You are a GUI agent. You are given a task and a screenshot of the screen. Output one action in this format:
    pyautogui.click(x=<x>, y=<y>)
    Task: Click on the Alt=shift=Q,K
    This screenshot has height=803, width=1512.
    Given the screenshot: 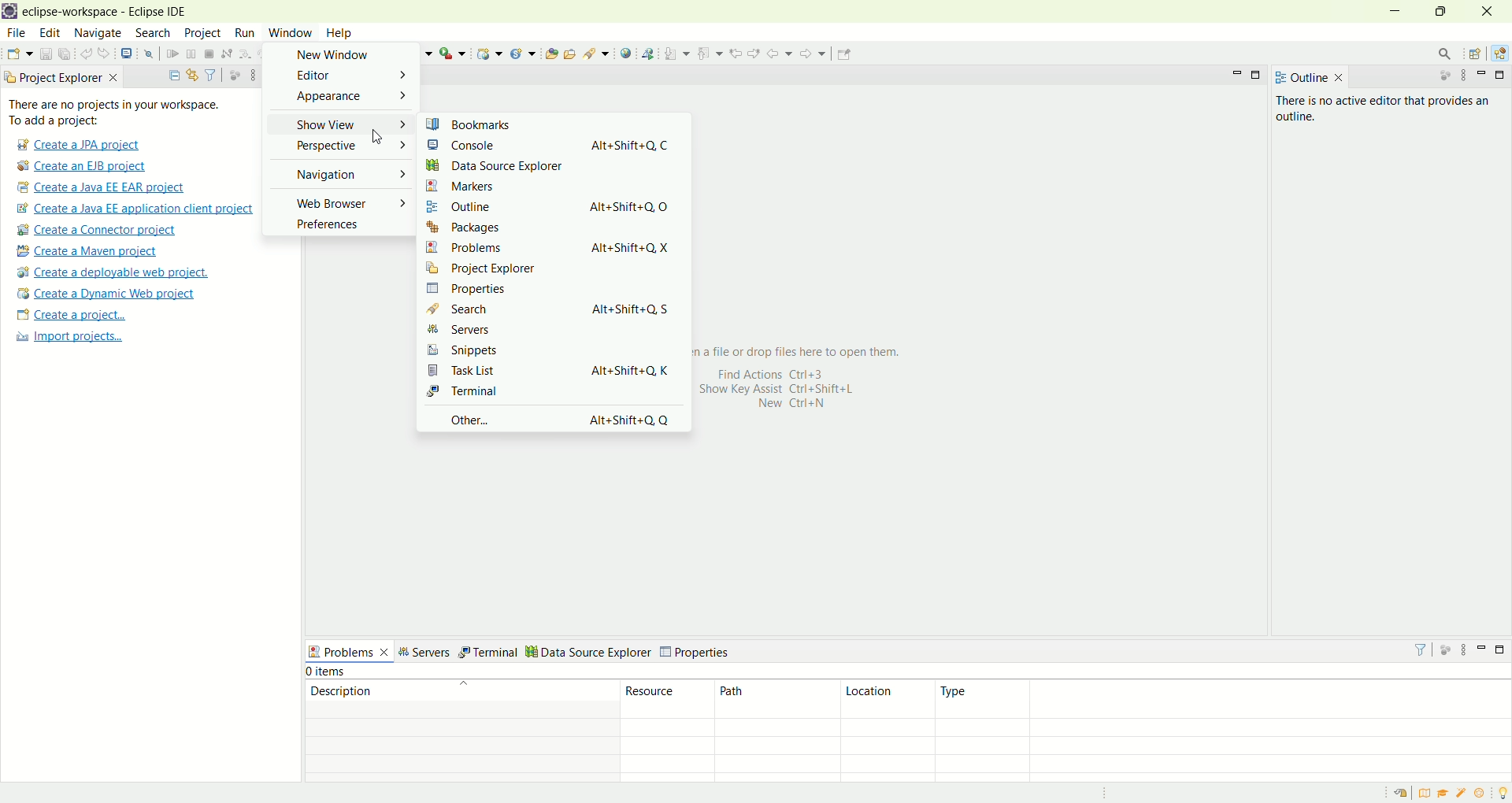 What is the action you would take?
    pyautogui.click(x=639, y=369)
    